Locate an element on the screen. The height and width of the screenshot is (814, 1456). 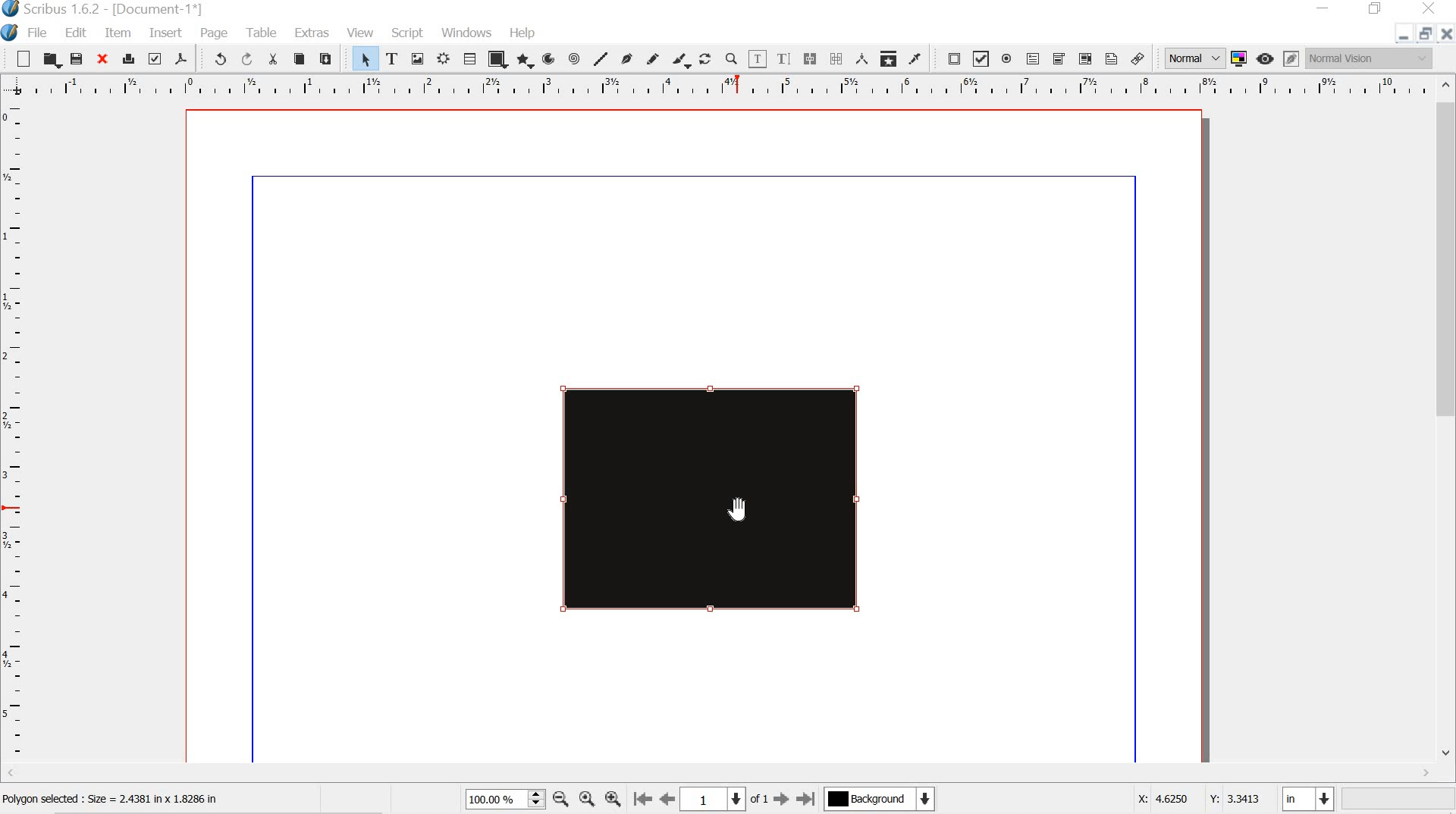
Background is located at coordinates (879, 800).